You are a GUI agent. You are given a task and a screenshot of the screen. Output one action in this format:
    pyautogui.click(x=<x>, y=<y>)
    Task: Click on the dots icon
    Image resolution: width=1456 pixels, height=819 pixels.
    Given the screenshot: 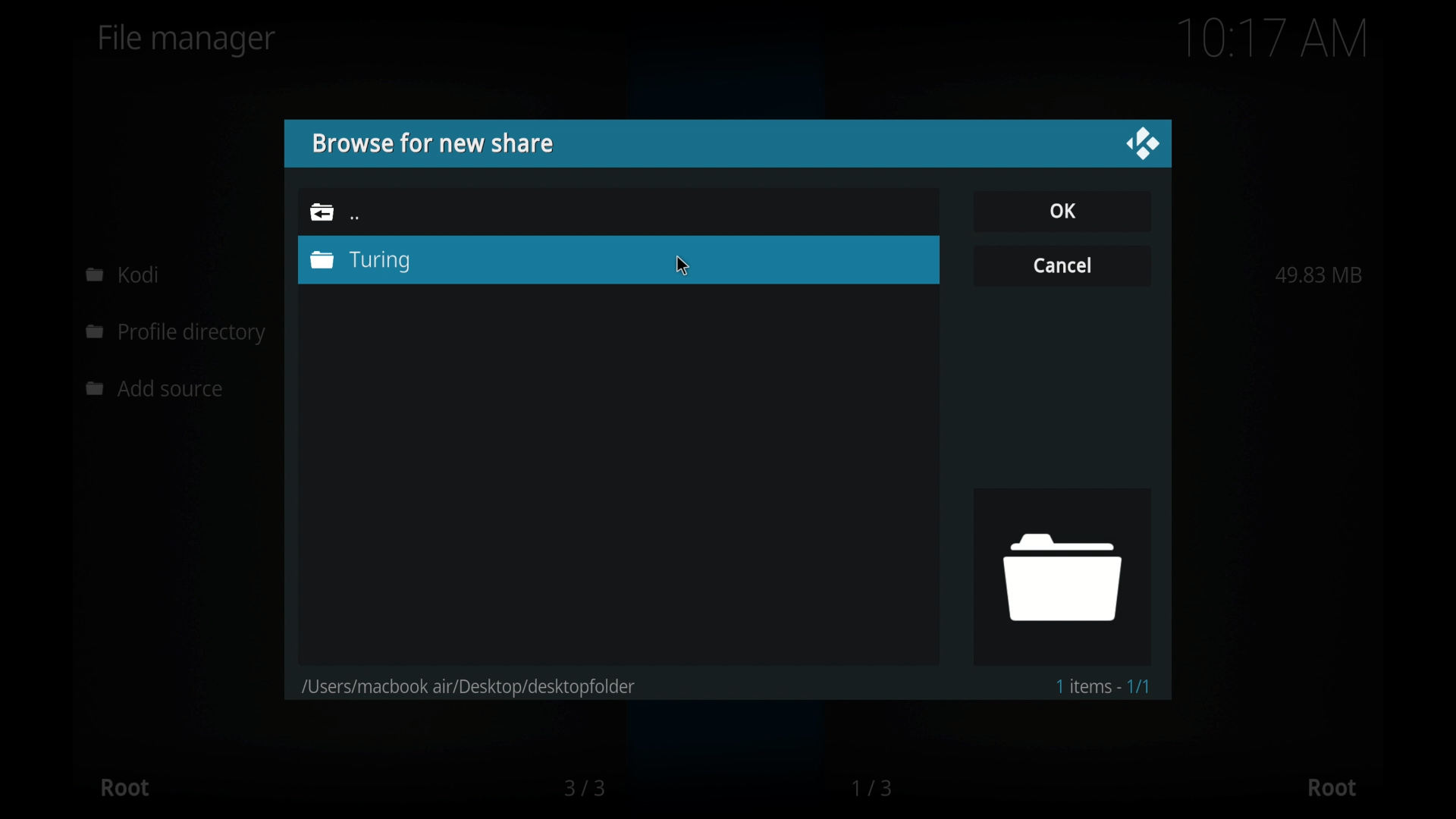 What is the action you would take?
    pyautogui.click(x=355, y=218)
    